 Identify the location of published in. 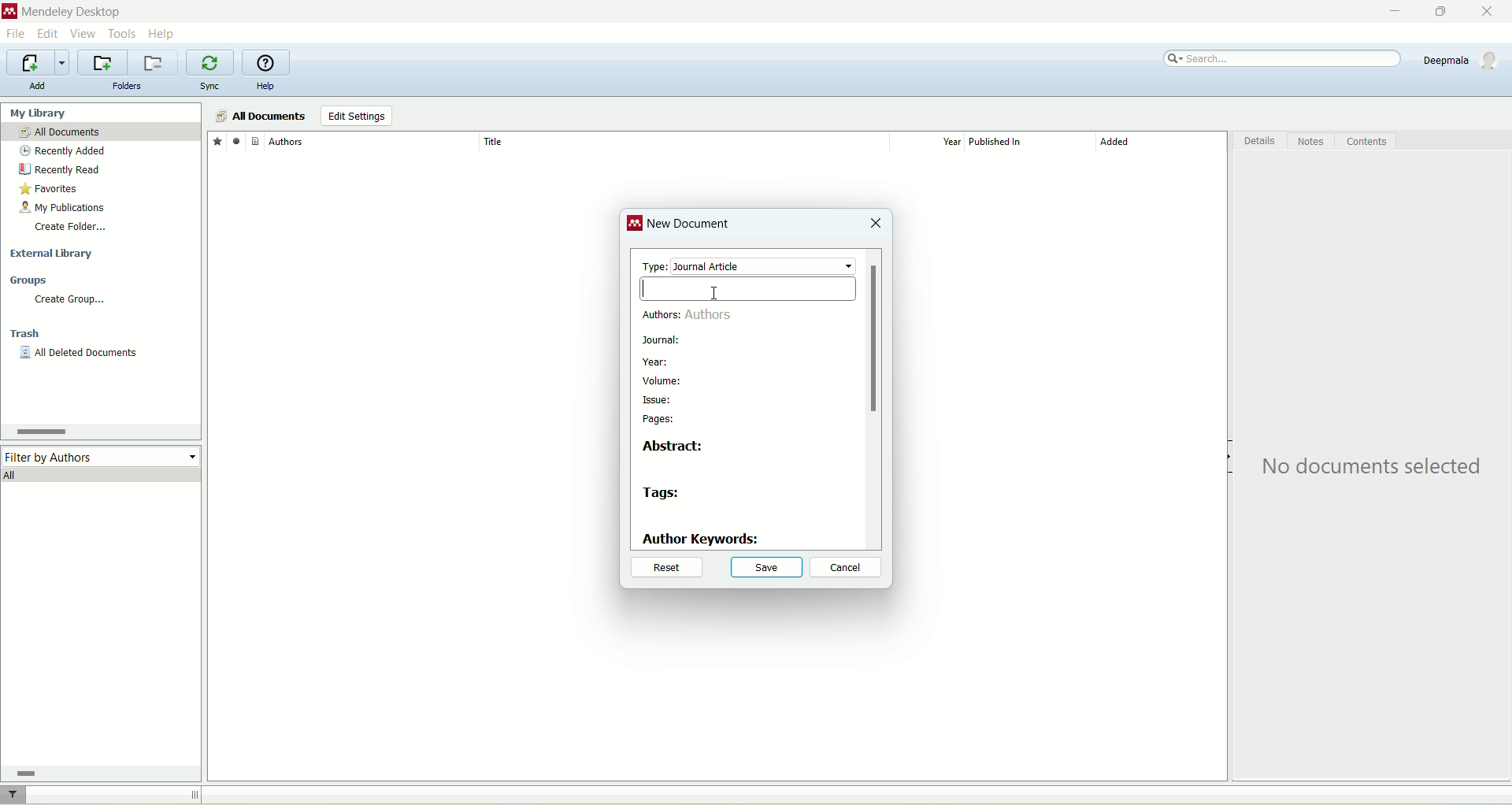
(1024, 142).